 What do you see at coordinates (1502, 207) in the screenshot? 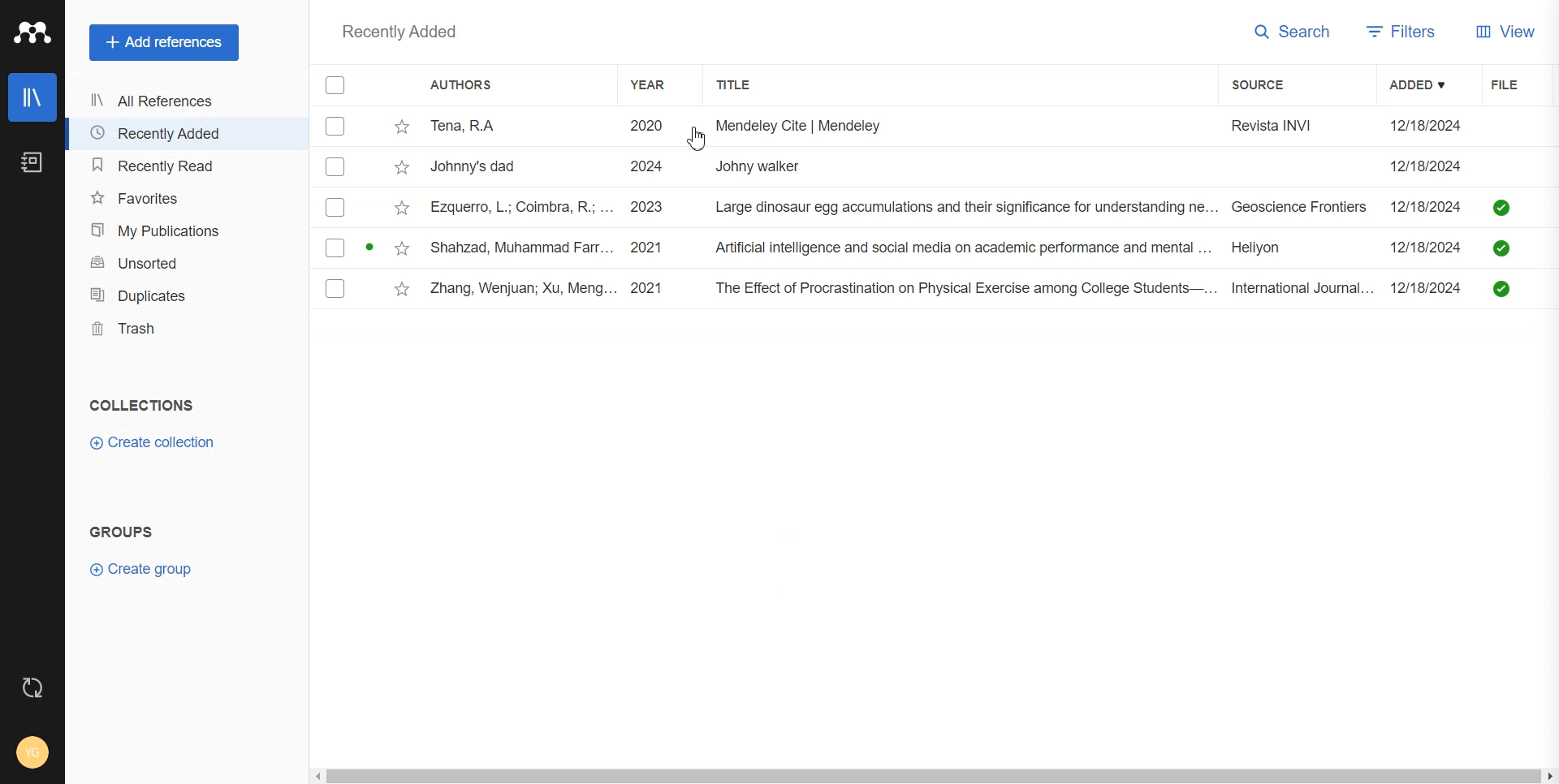
I see `saved` at bounding box center [1502, 207].